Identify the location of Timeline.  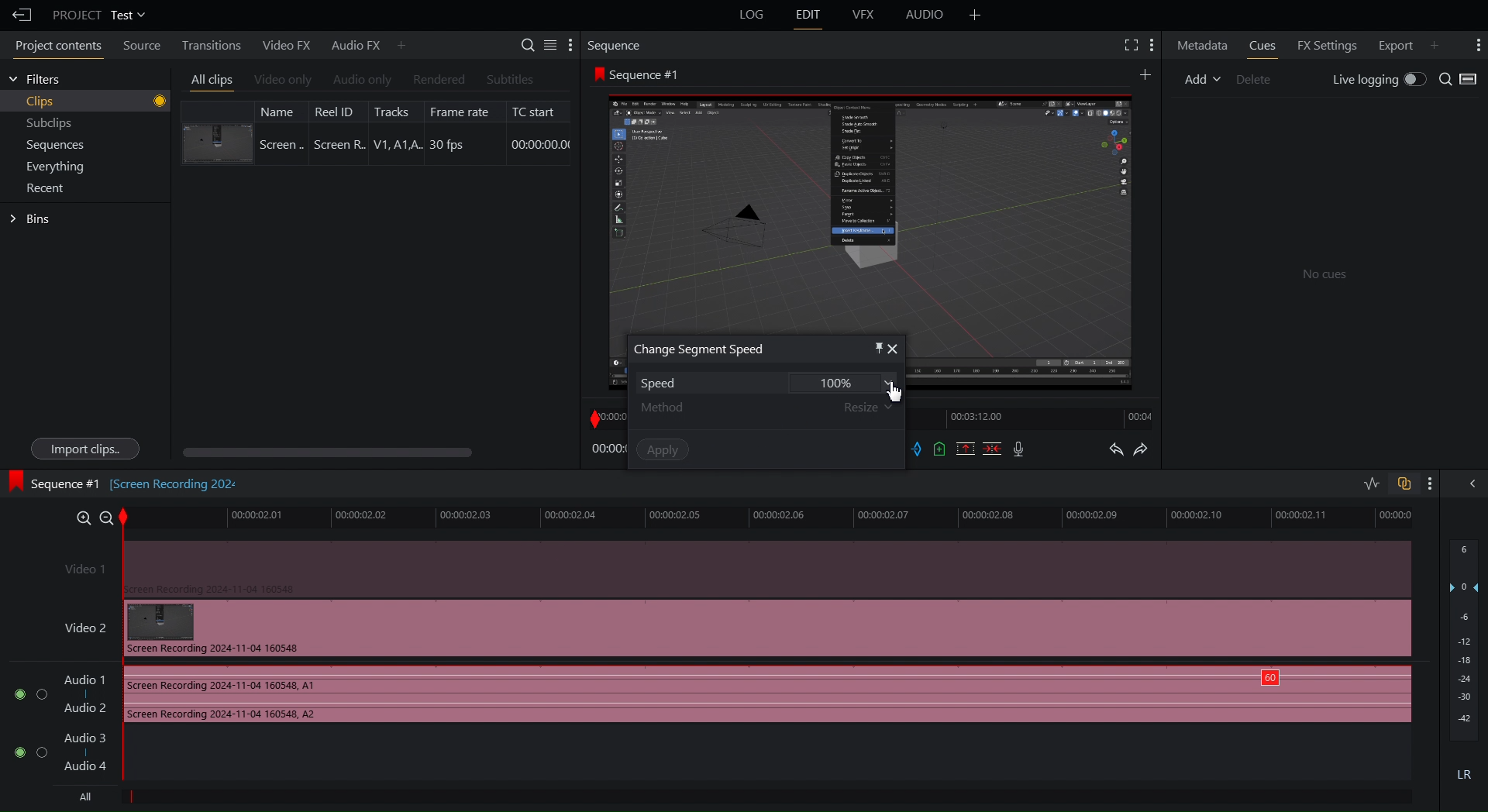
(779, 517).